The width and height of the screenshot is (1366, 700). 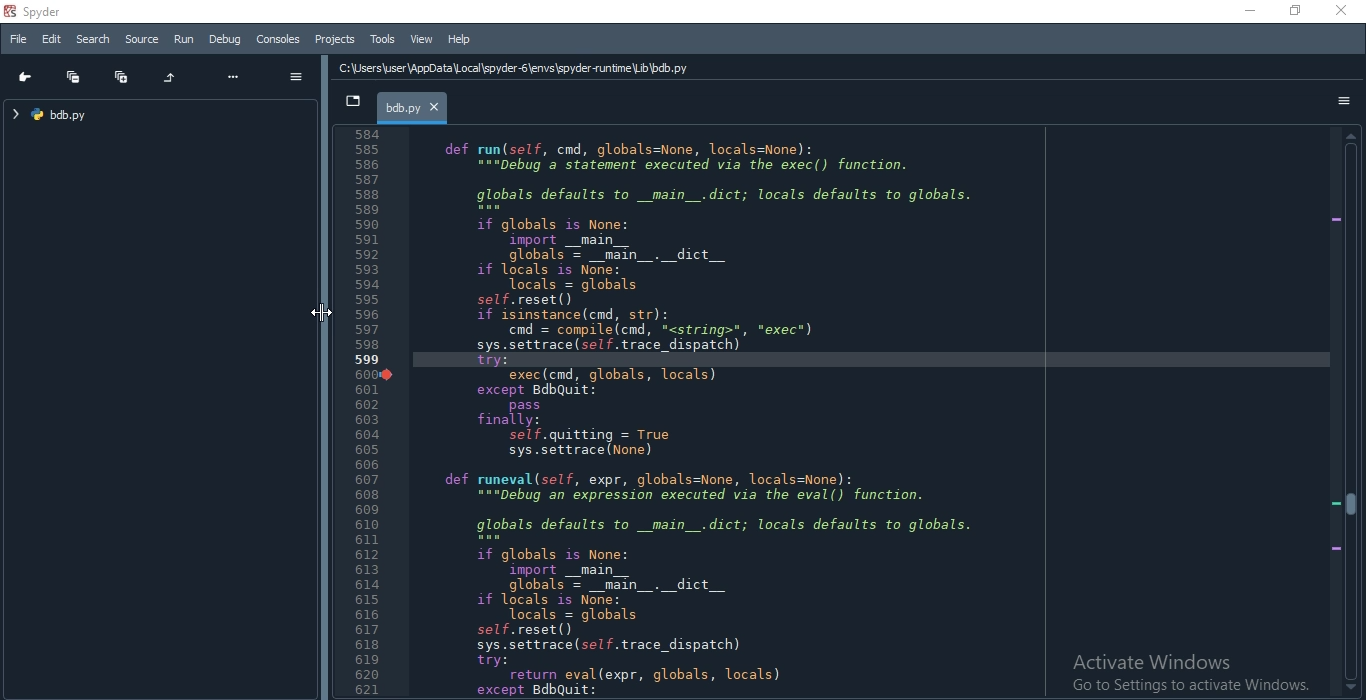 What do you see at coordinates (1252, 12) in the screenshot?
I see `minimize` at bounding box center [1252, 12].